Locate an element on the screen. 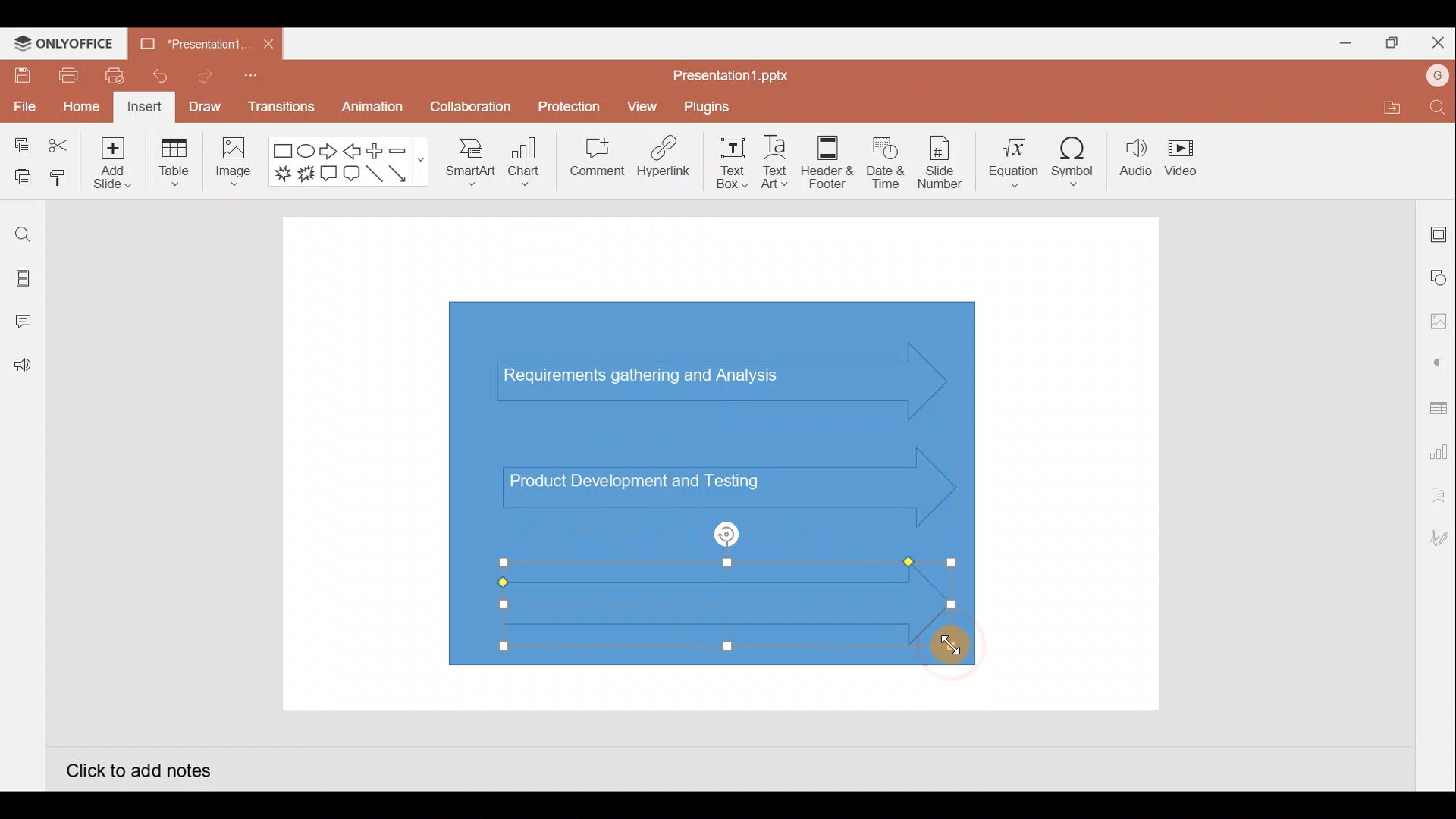 The width and height of the screenshot is (1456, 819). View is located at coordinates (645, 103).